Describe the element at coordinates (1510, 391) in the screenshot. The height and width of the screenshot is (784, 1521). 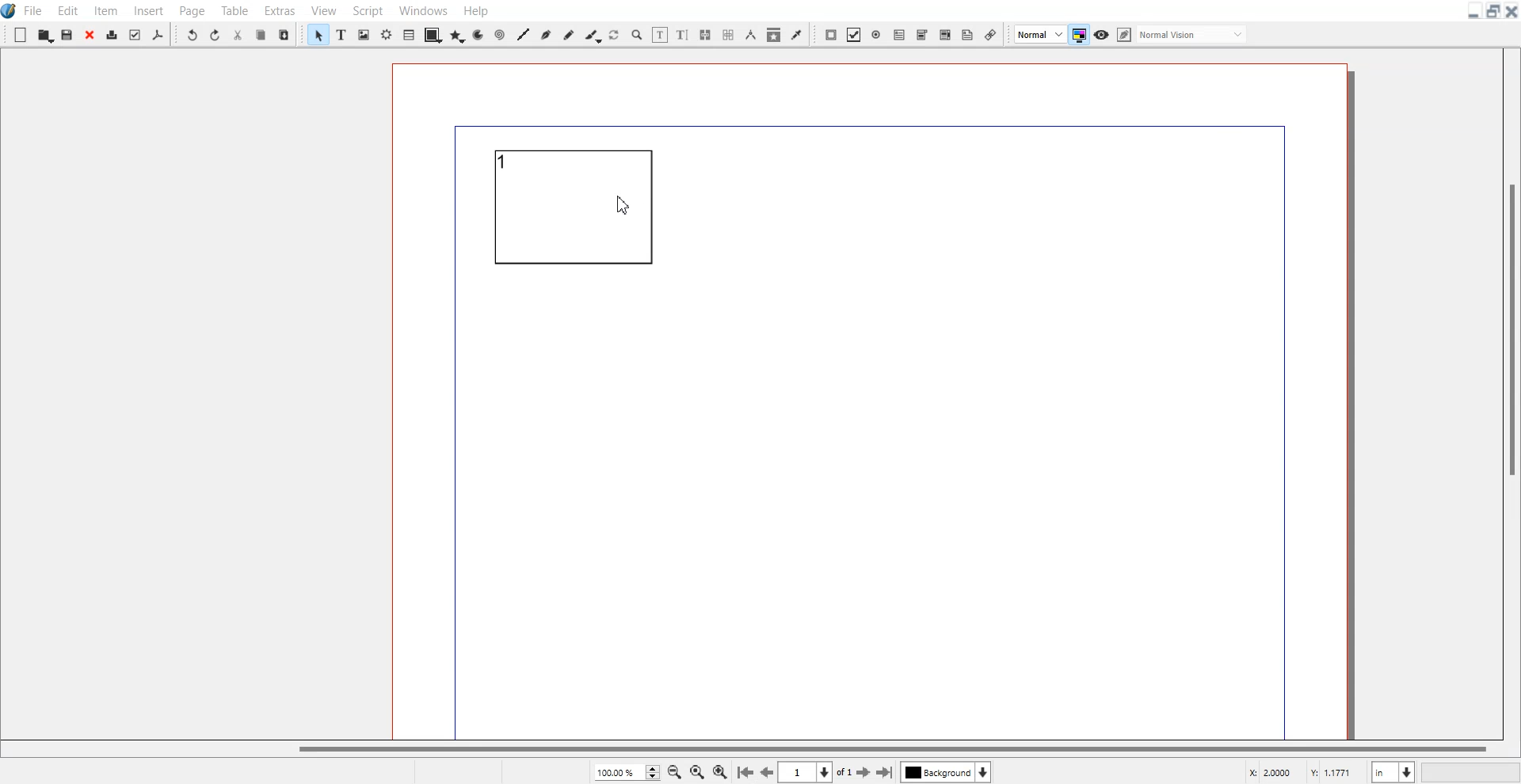
I see `Vertical Scroll bar` at that location.